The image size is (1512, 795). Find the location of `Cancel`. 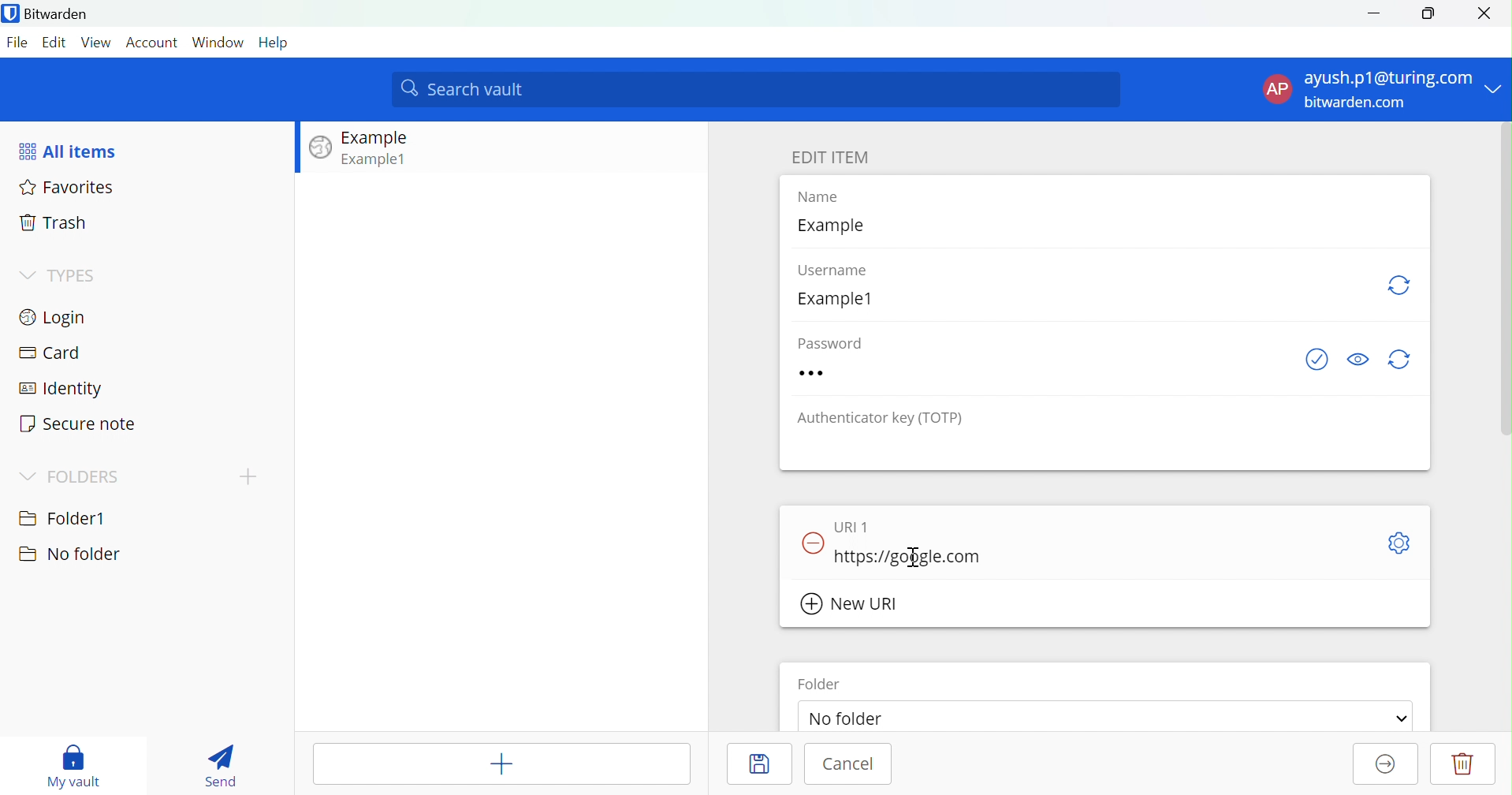

Cancel is located at coordinates (851, 766).